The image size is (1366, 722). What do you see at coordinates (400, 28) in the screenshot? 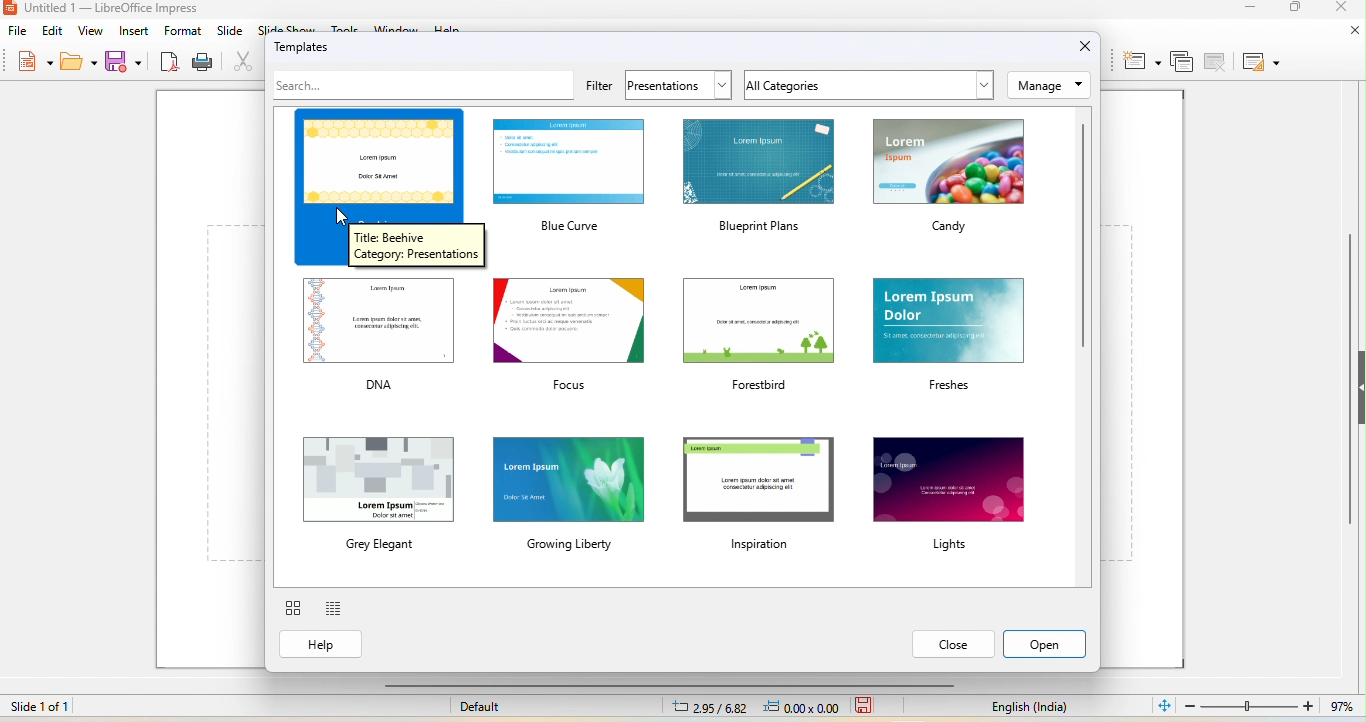
I see `window` at bounding box center [400, 28].